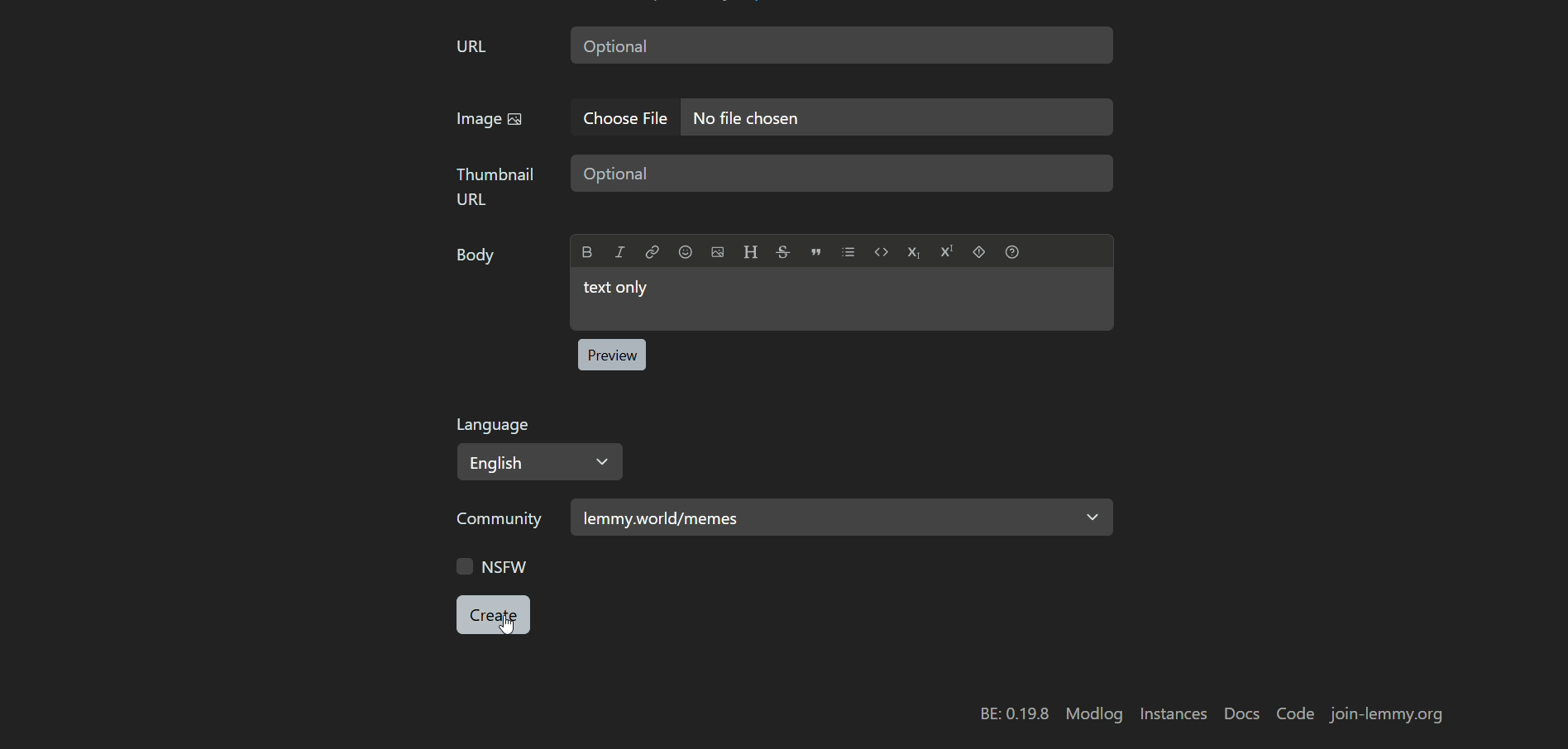  I want to click on Body, so click(478, 259).